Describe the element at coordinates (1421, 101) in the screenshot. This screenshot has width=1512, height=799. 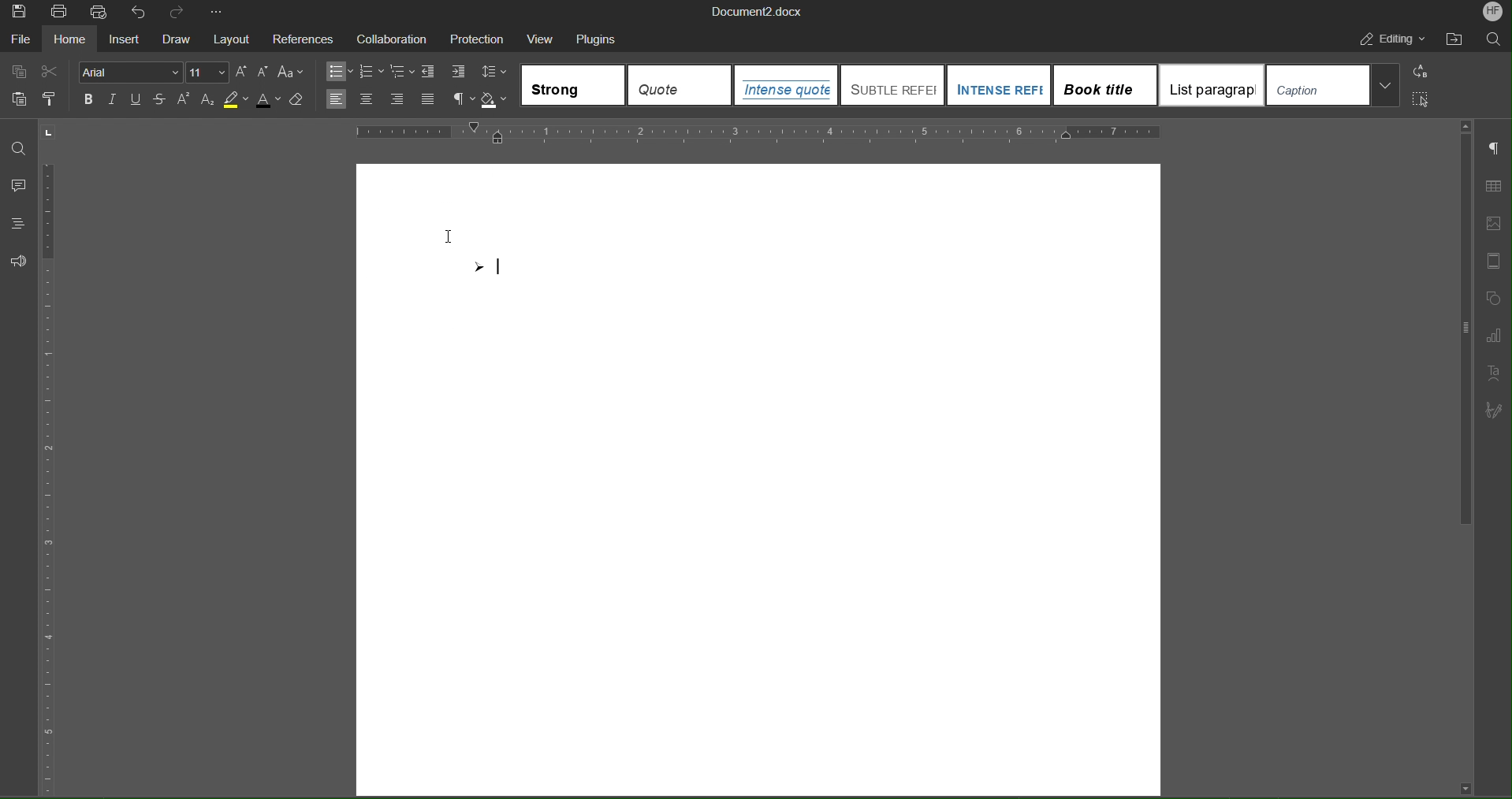
I see `Select All` at that location.